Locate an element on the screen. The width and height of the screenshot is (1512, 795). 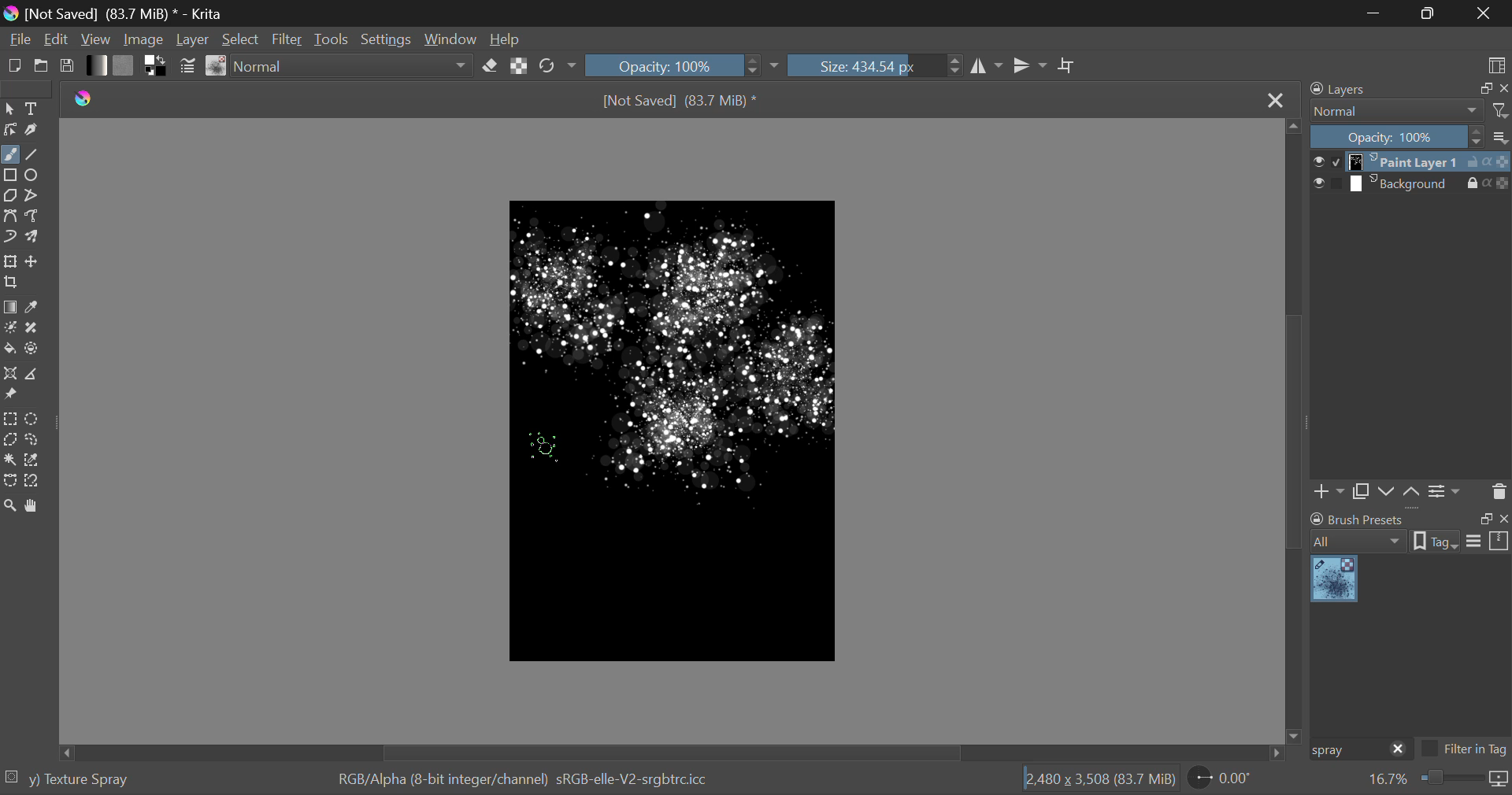
tag is located at coordinates (1436, 543).